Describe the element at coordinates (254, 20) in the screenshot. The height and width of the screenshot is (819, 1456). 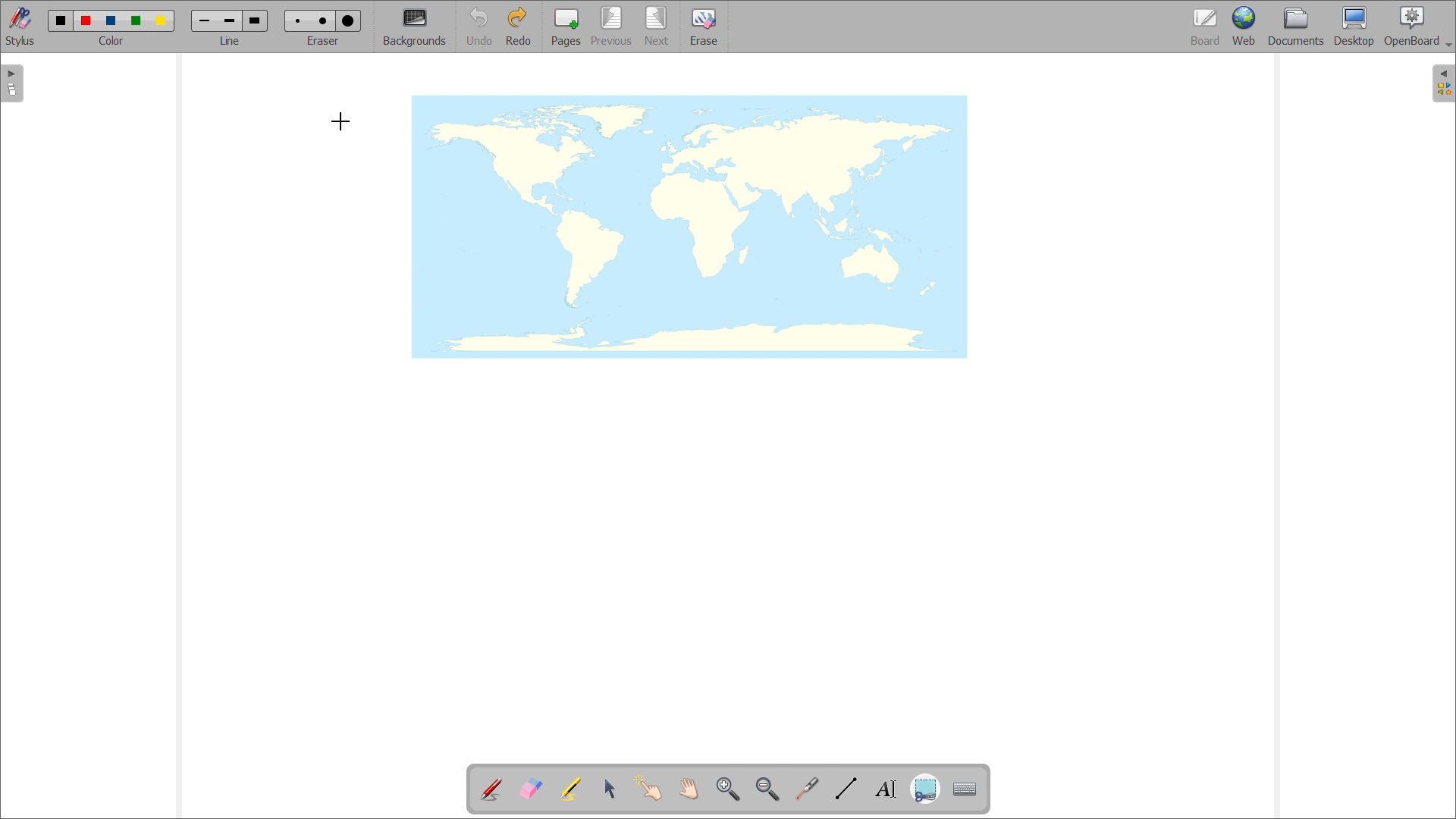
I see `large` at that location.